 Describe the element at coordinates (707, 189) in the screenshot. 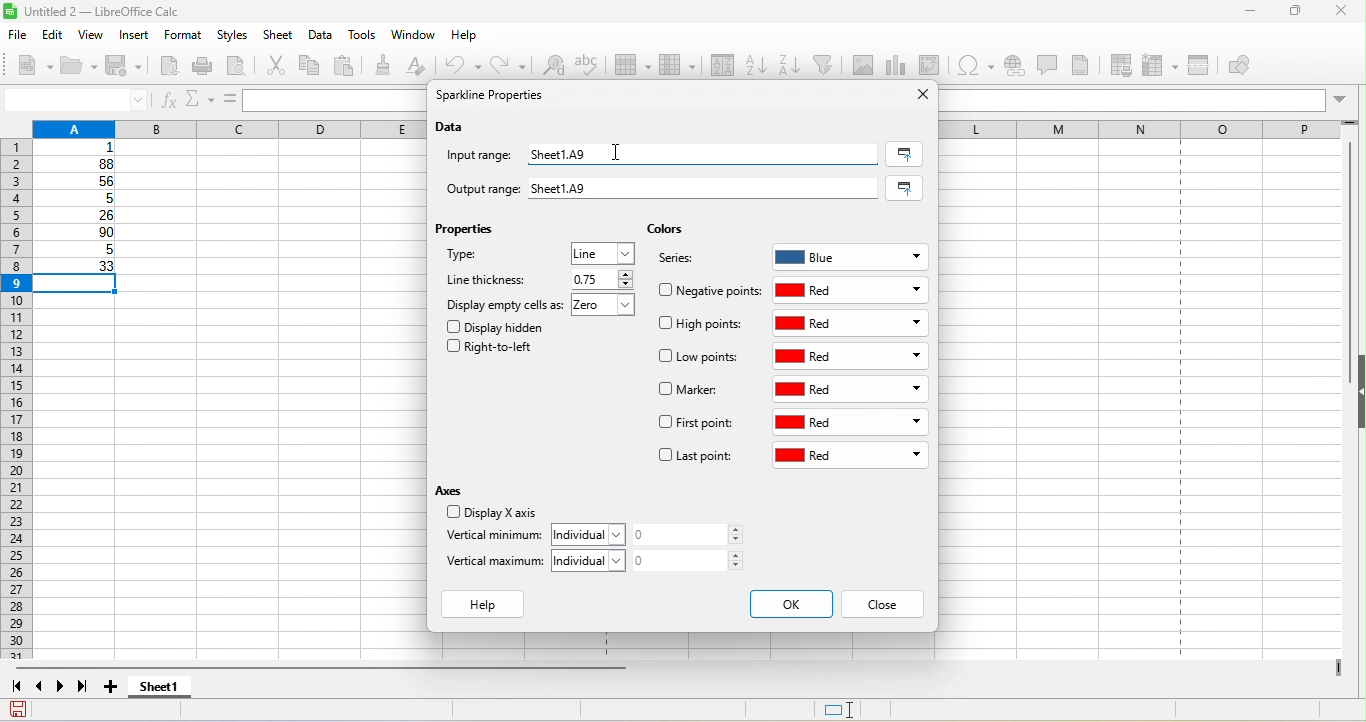

I see `sheet a9` at that location.